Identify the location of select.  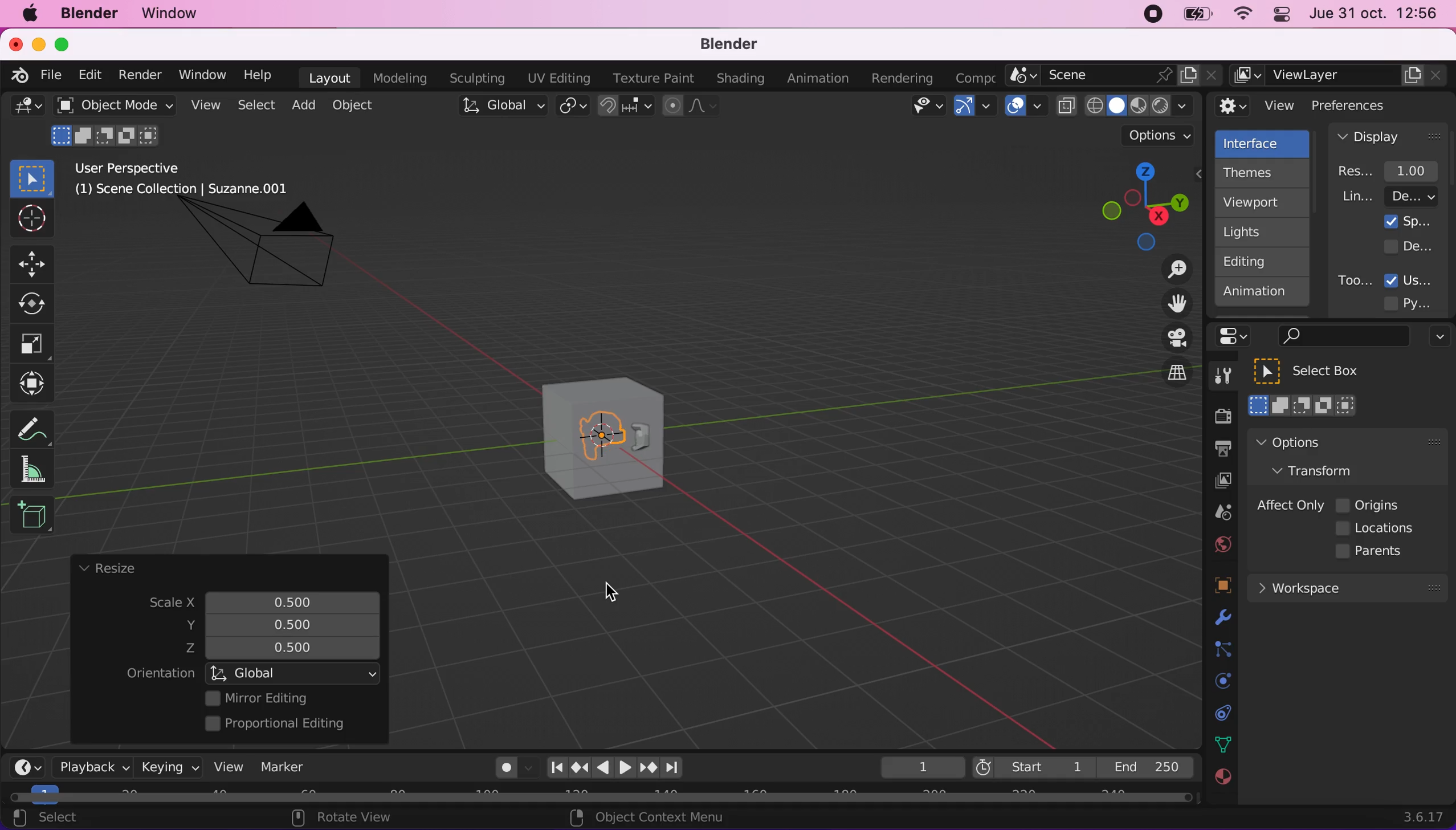
(255, 106).